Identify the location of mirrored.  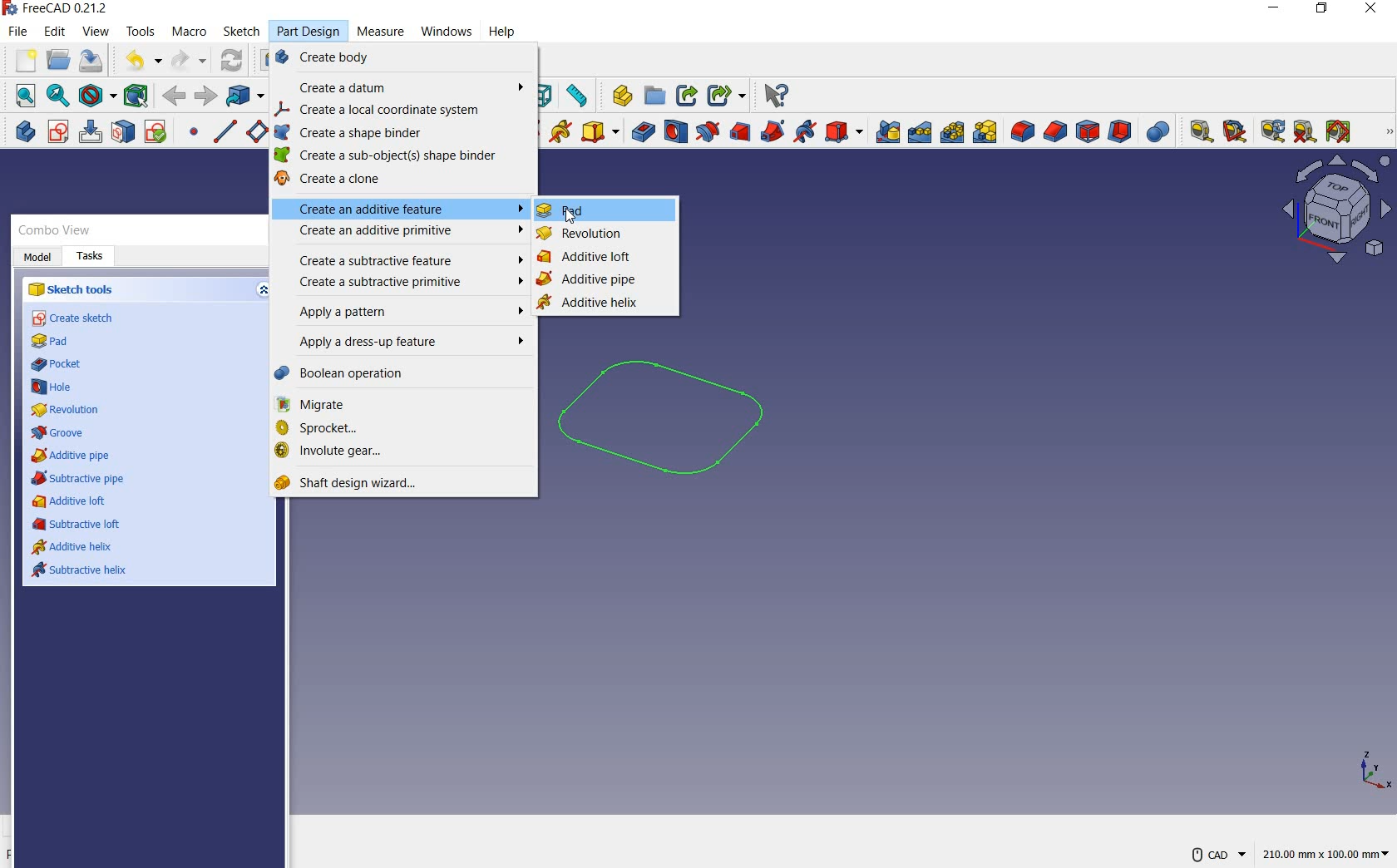
(887, 134).